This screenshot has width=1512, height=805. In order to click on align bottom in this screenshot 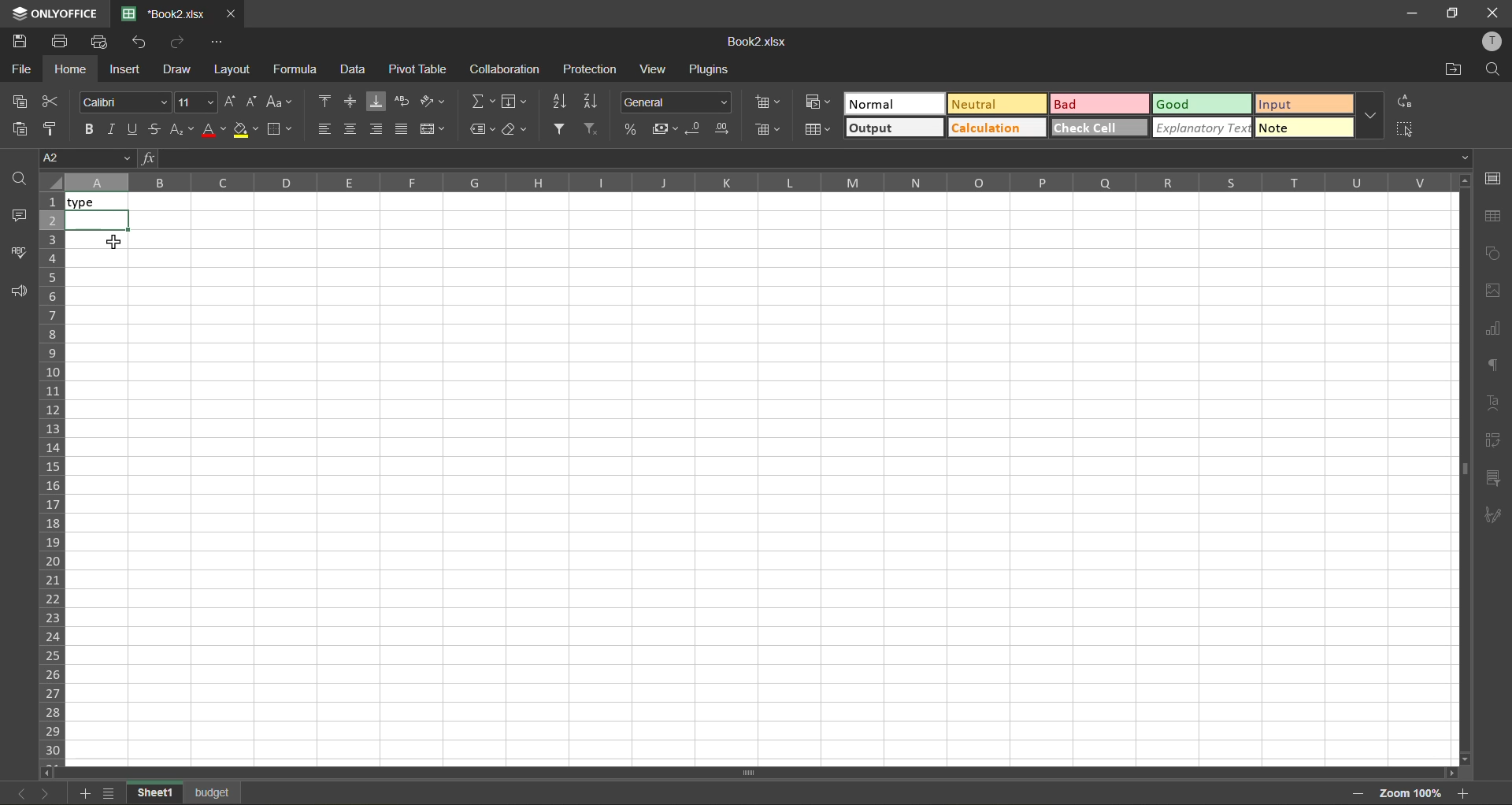, I will do `click(376, 101)`.